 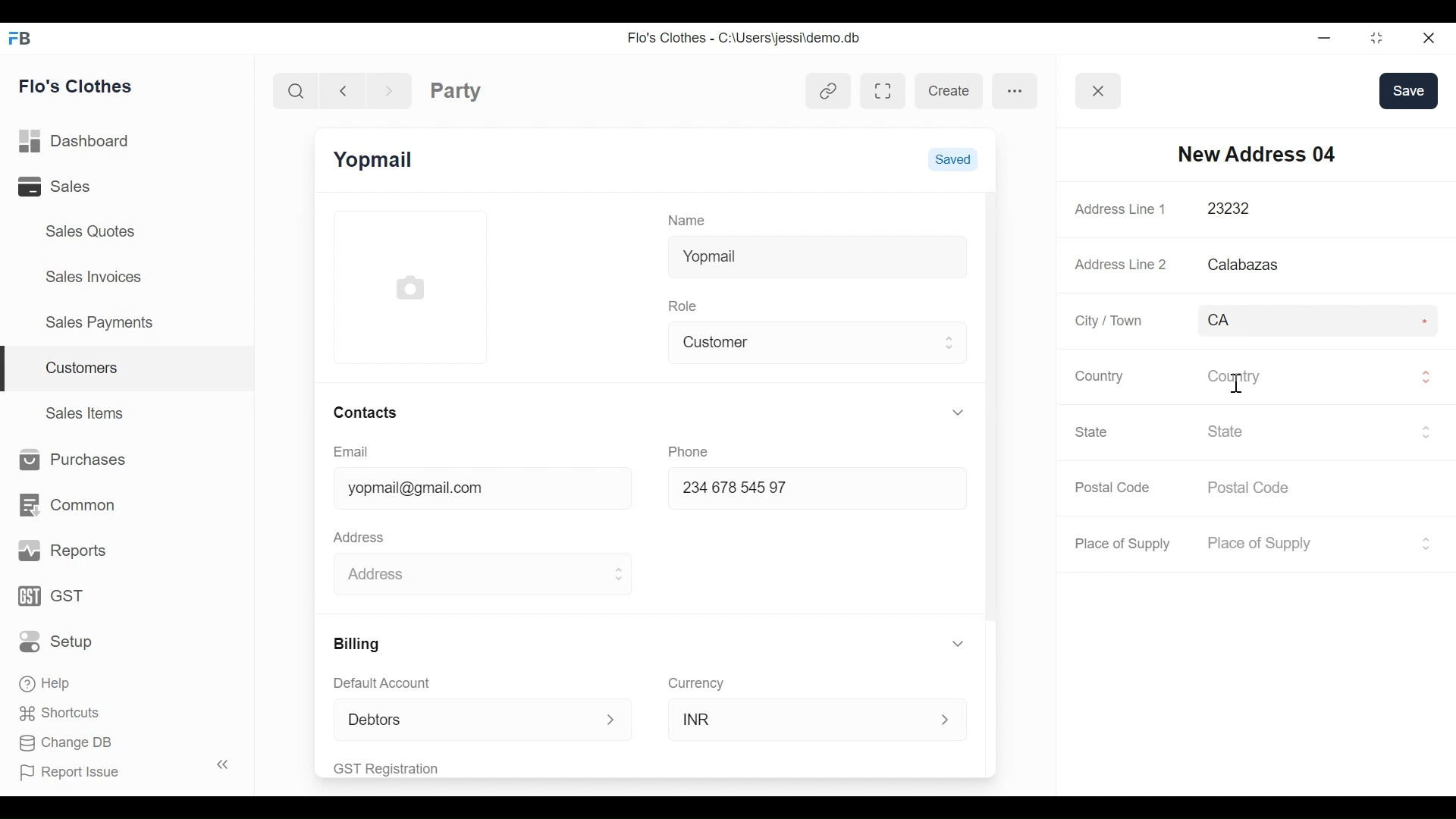 I want to click on Profile Picture, so click(x=413, y=286).